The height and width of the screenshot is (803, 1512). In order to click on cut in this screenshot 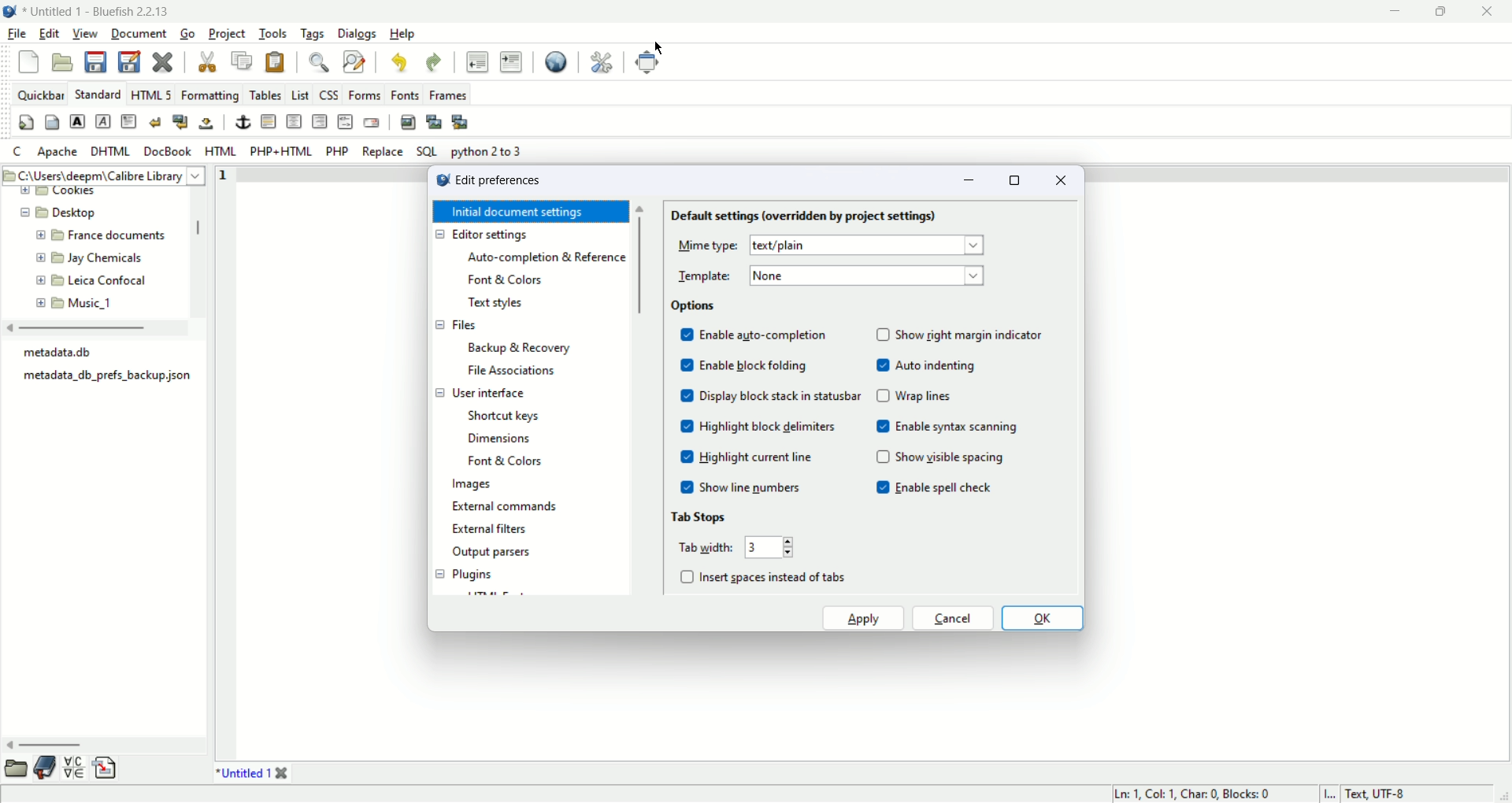, I will do `click(208, 63)`.